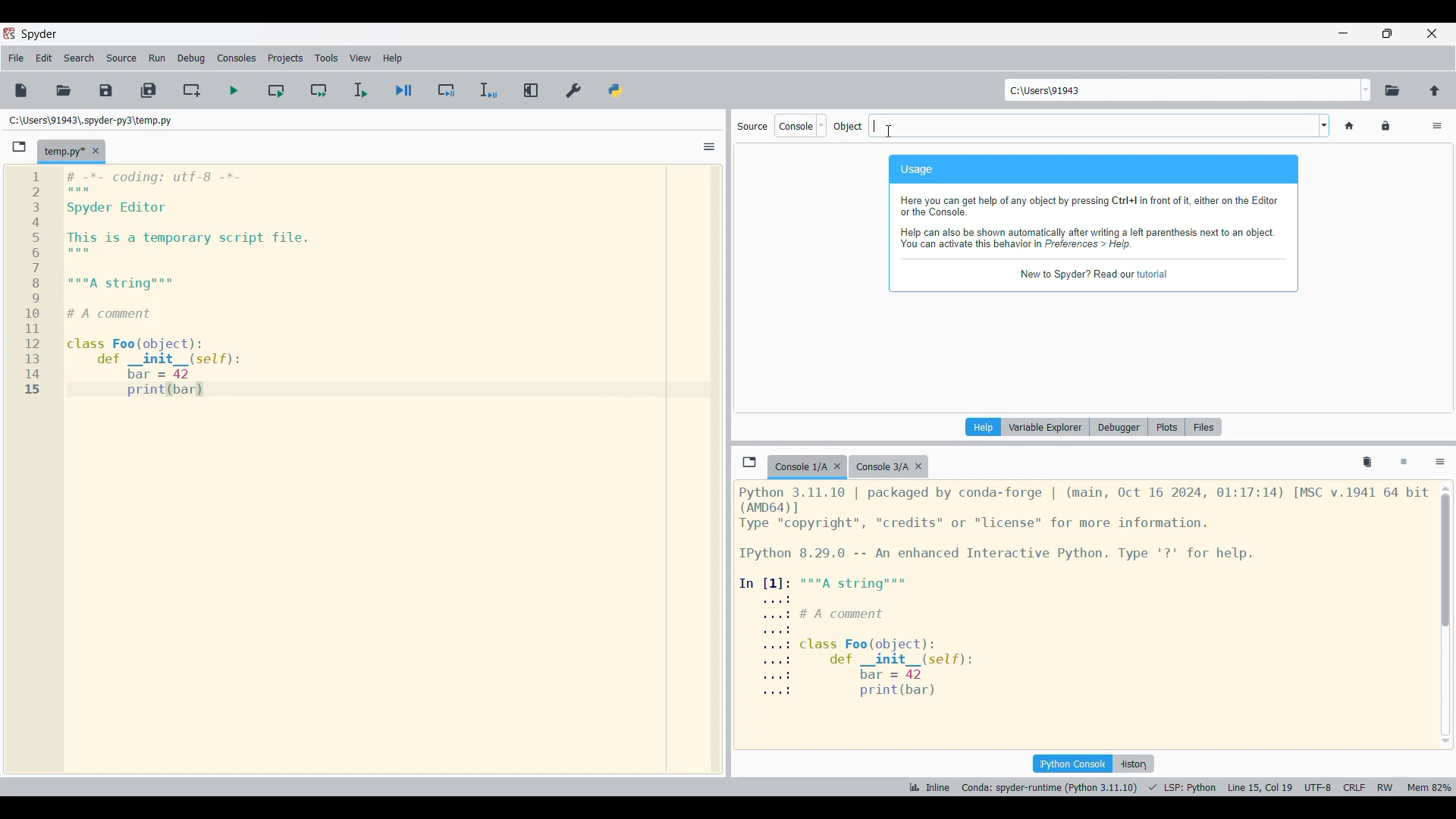 Image resolution: width=1456 pixels, height=819 pixels. Describe the element at coordinates (1094, 224) in the screenshot. I see `Description of current pane` at that location.